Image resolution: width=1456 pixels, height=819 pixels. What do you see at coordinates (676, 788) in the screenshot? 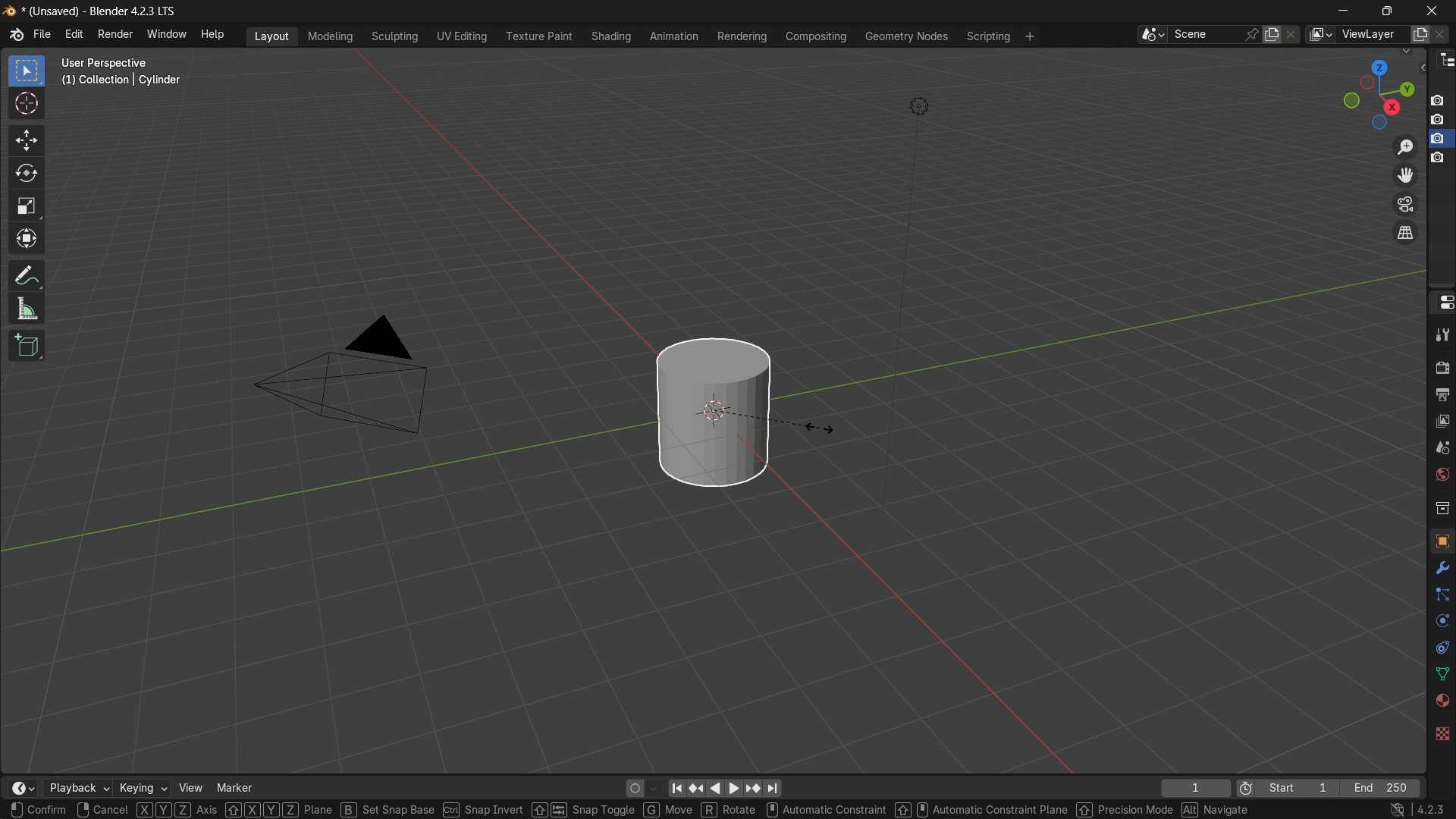
I see `jump to endpoint` at bounding box center [676, 788].